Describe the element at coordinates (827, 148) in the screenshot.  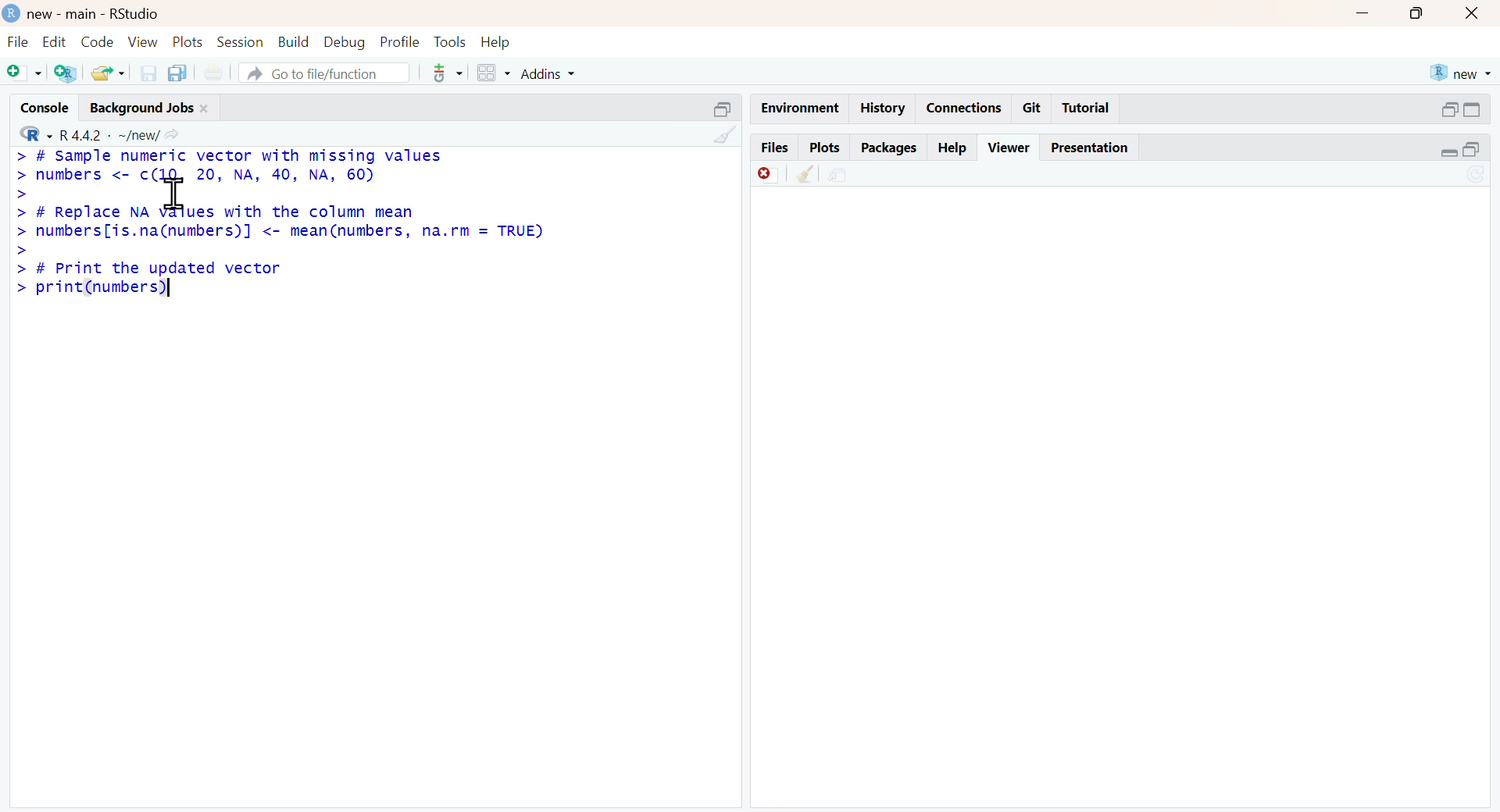
I see `plots` at that location.